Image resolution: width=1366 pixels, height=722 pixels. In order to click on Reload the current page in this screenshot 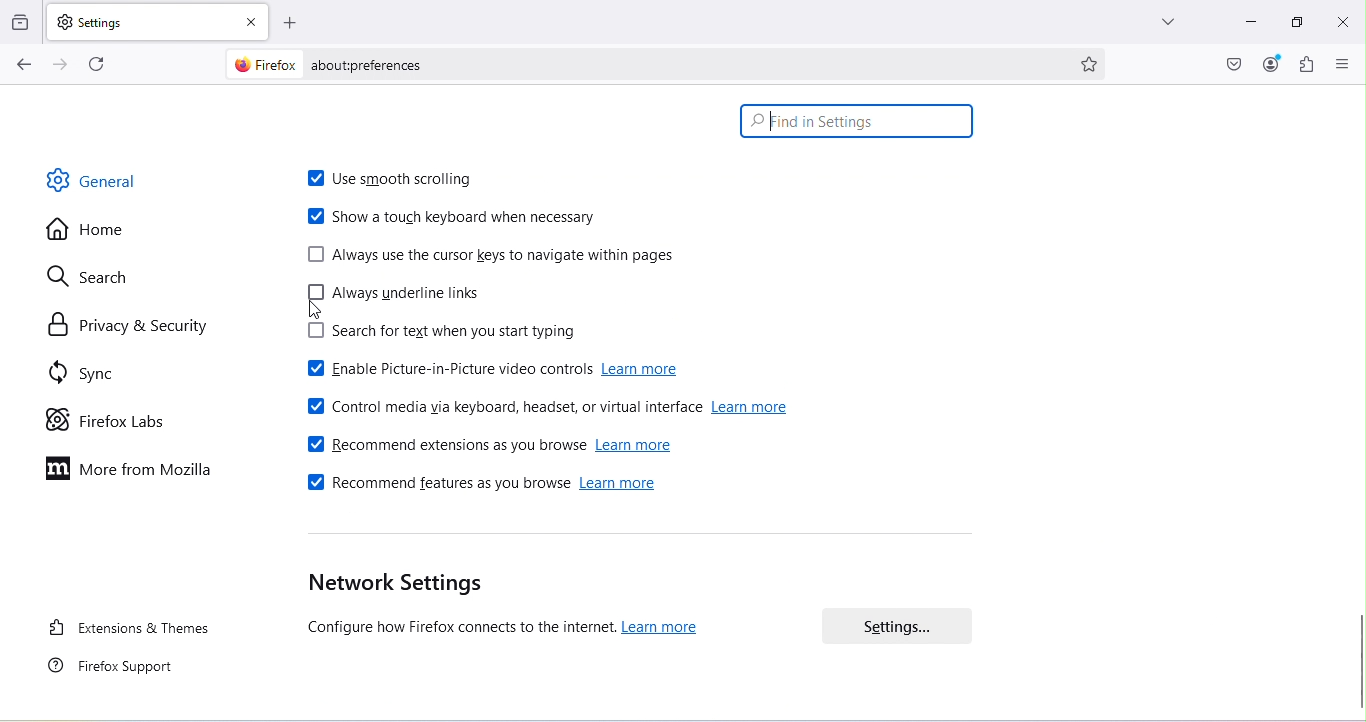, I will do `click(96, 65)`.